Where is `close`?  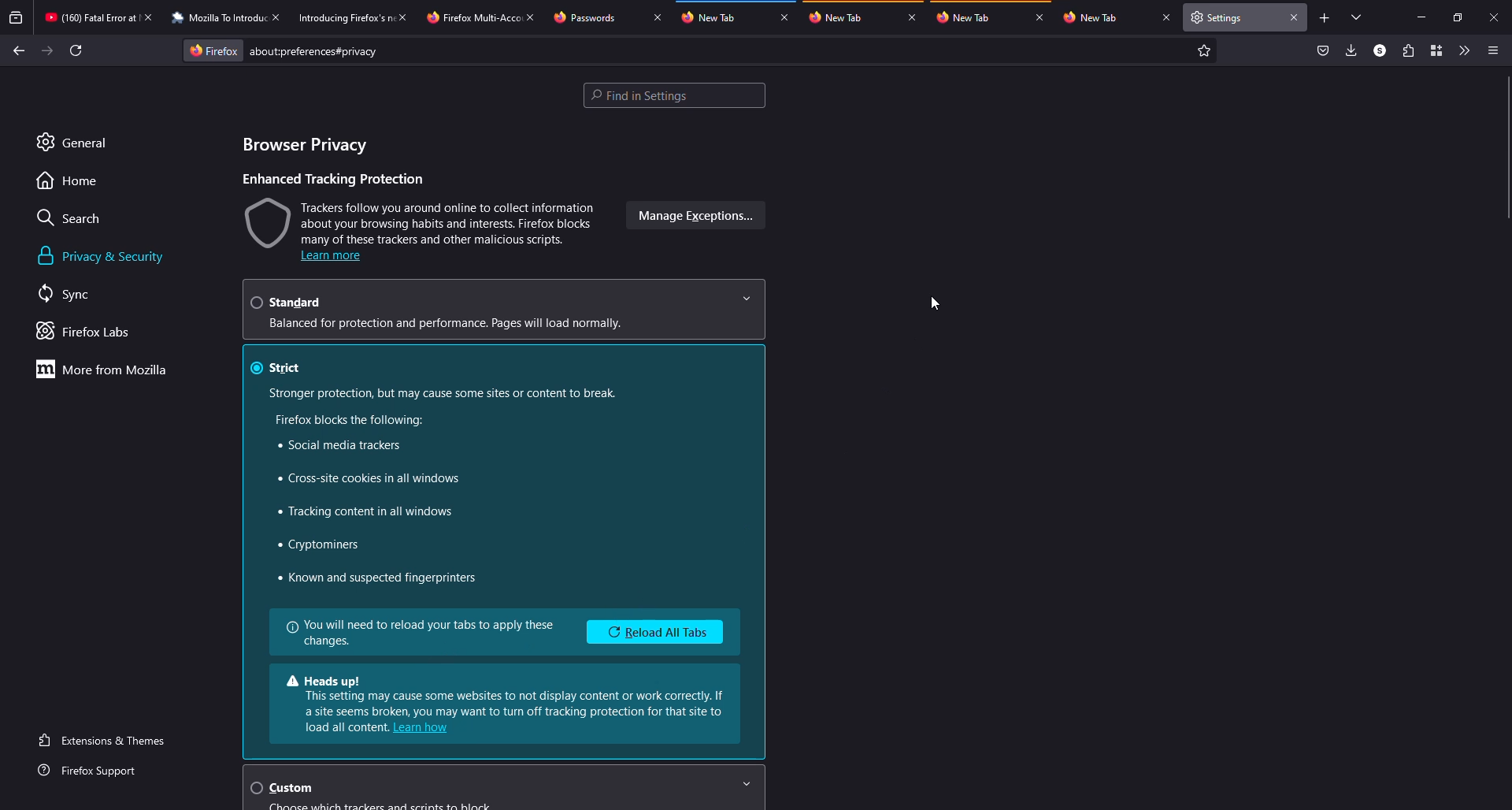
close is located at coordinates (785, 18).